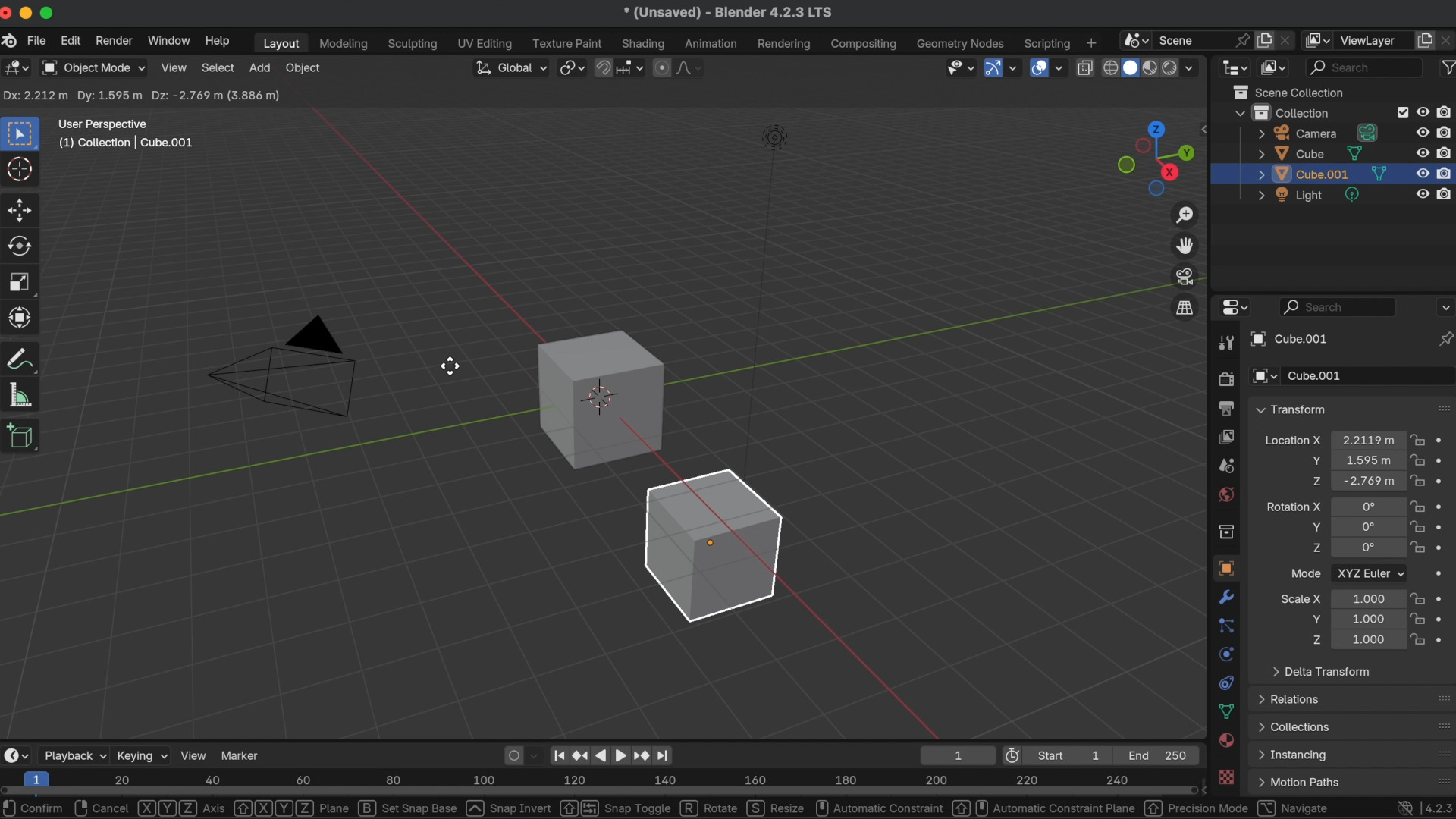 The height and width of the screenshot is (819, 1456). I want to click on delete scene, so click(1288, 38).